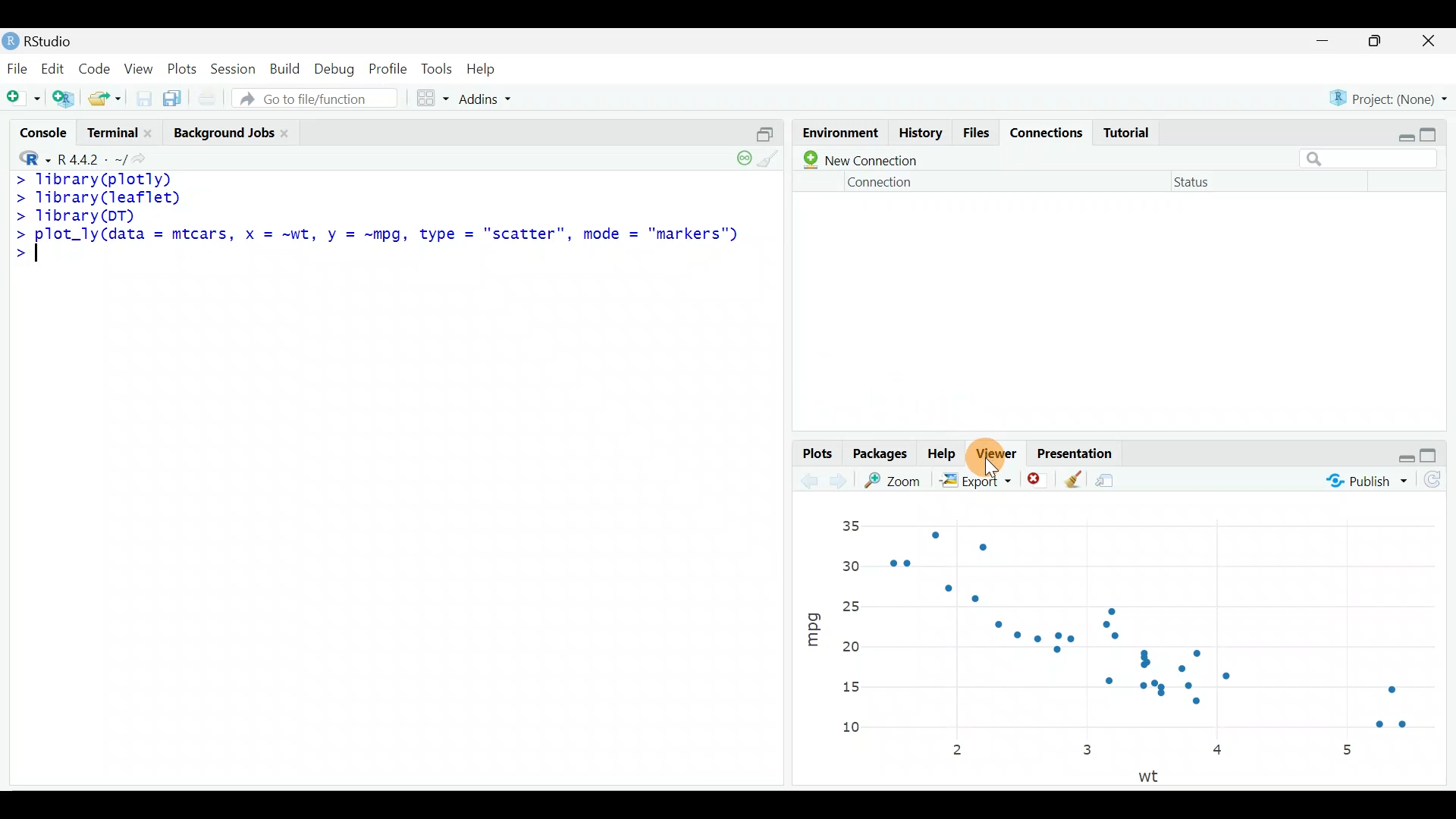  I want to click on Save all open documents, so click(174, 99).